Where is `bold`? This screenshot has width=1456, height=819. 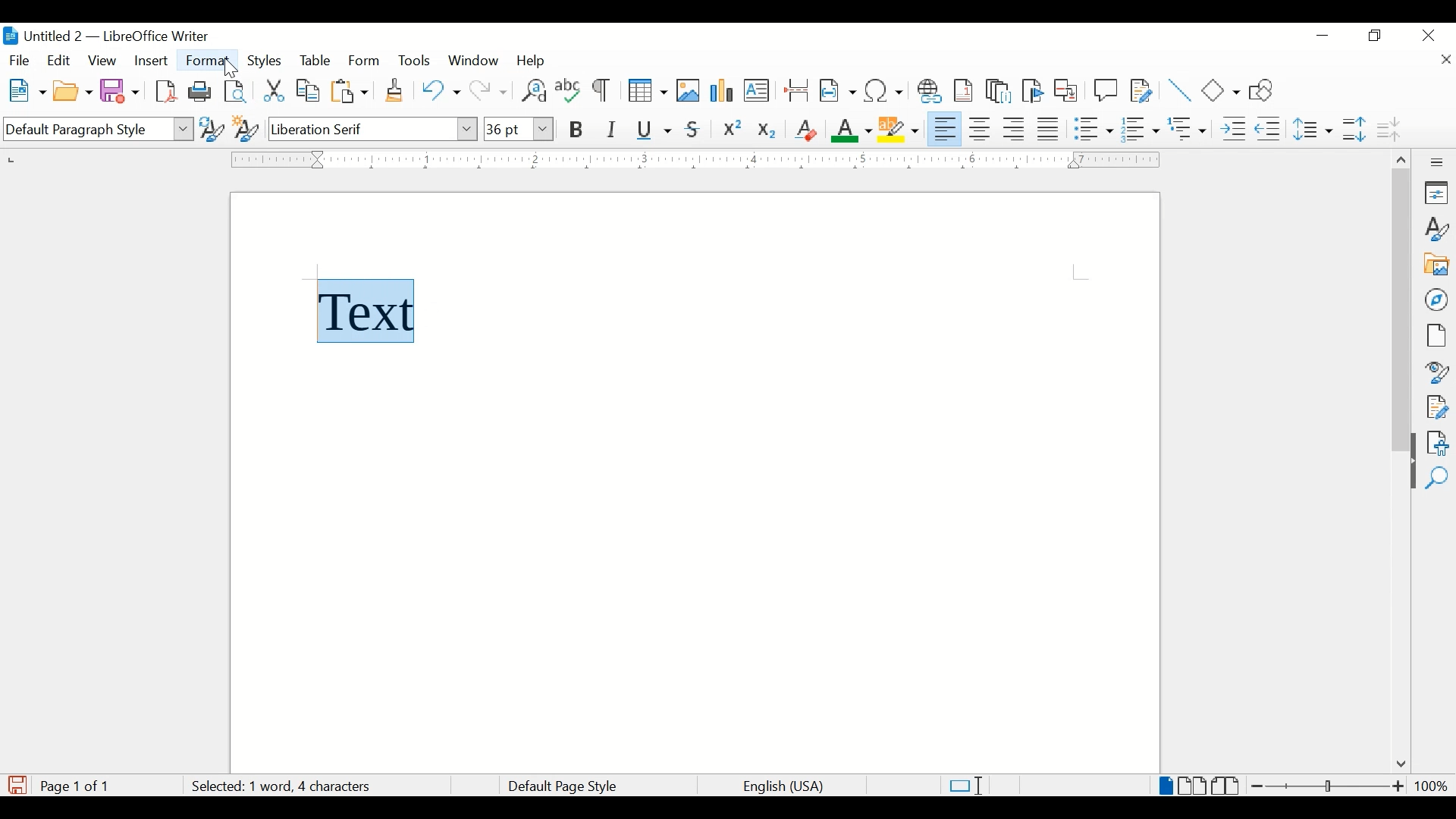
bold is located at coordinates (577, 130).